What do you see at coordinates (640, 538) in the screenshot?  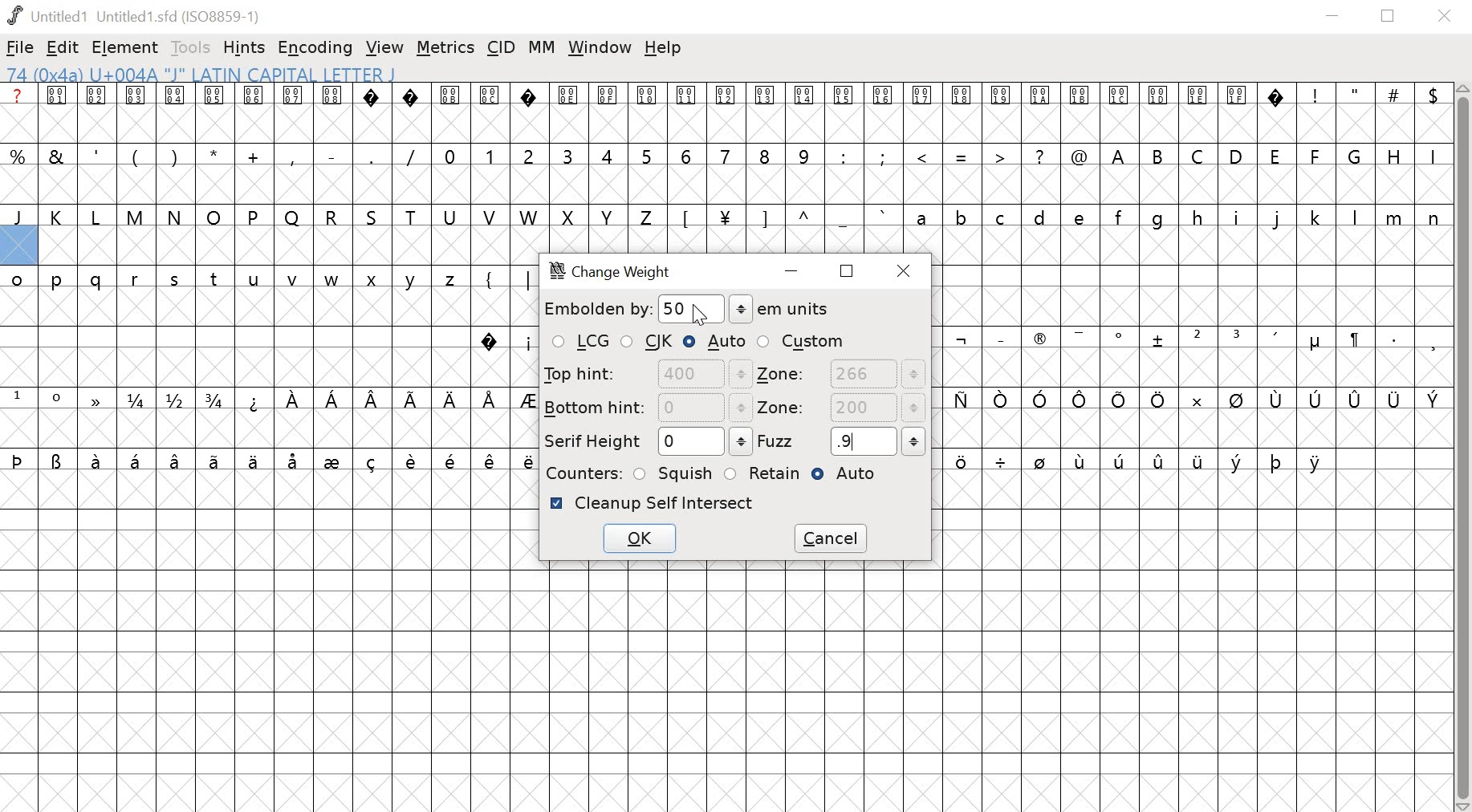 I see `OK` at bounding box center [640, 538].